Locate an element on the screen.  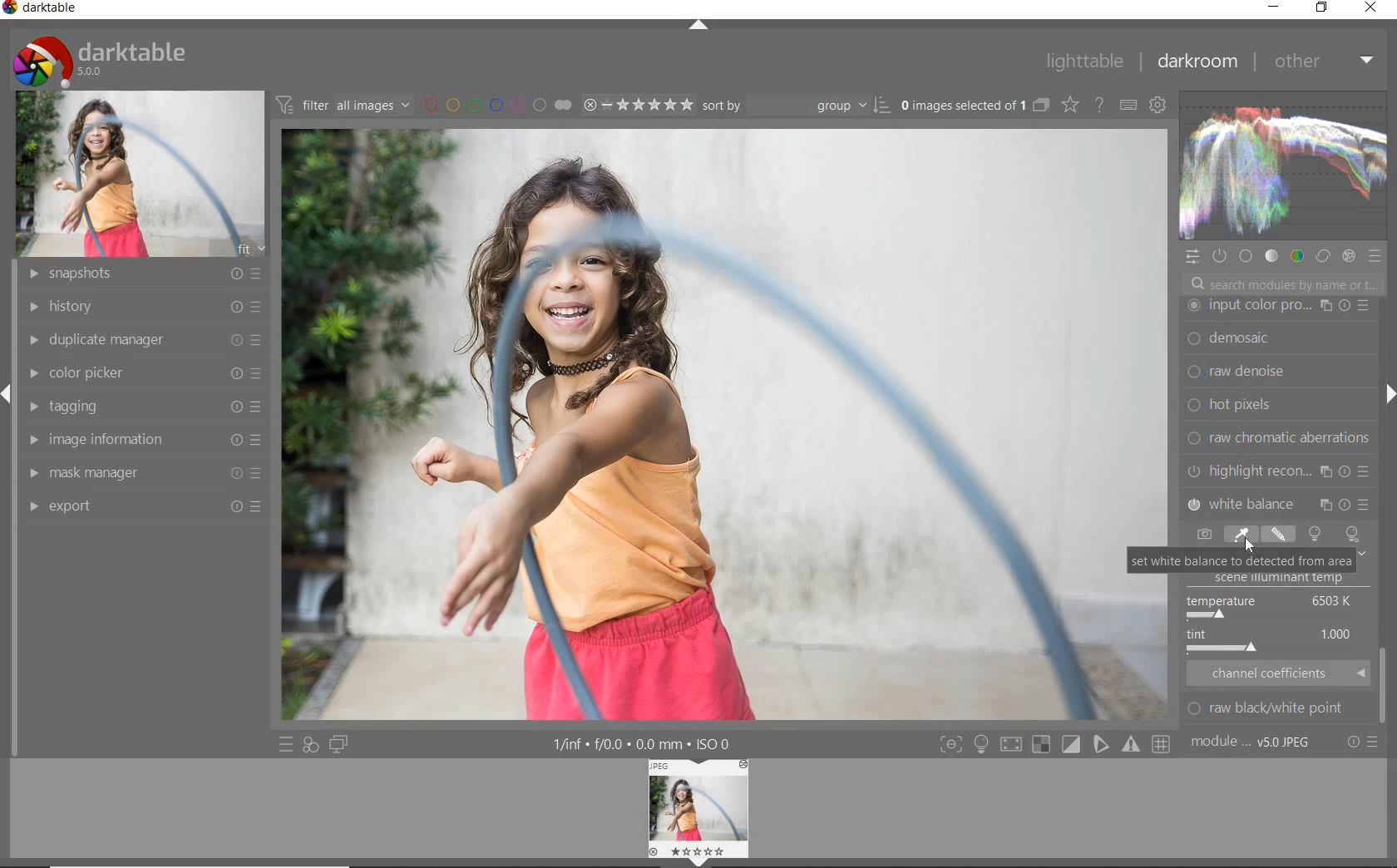
duplicate manager is located at coordinates (141, 338).